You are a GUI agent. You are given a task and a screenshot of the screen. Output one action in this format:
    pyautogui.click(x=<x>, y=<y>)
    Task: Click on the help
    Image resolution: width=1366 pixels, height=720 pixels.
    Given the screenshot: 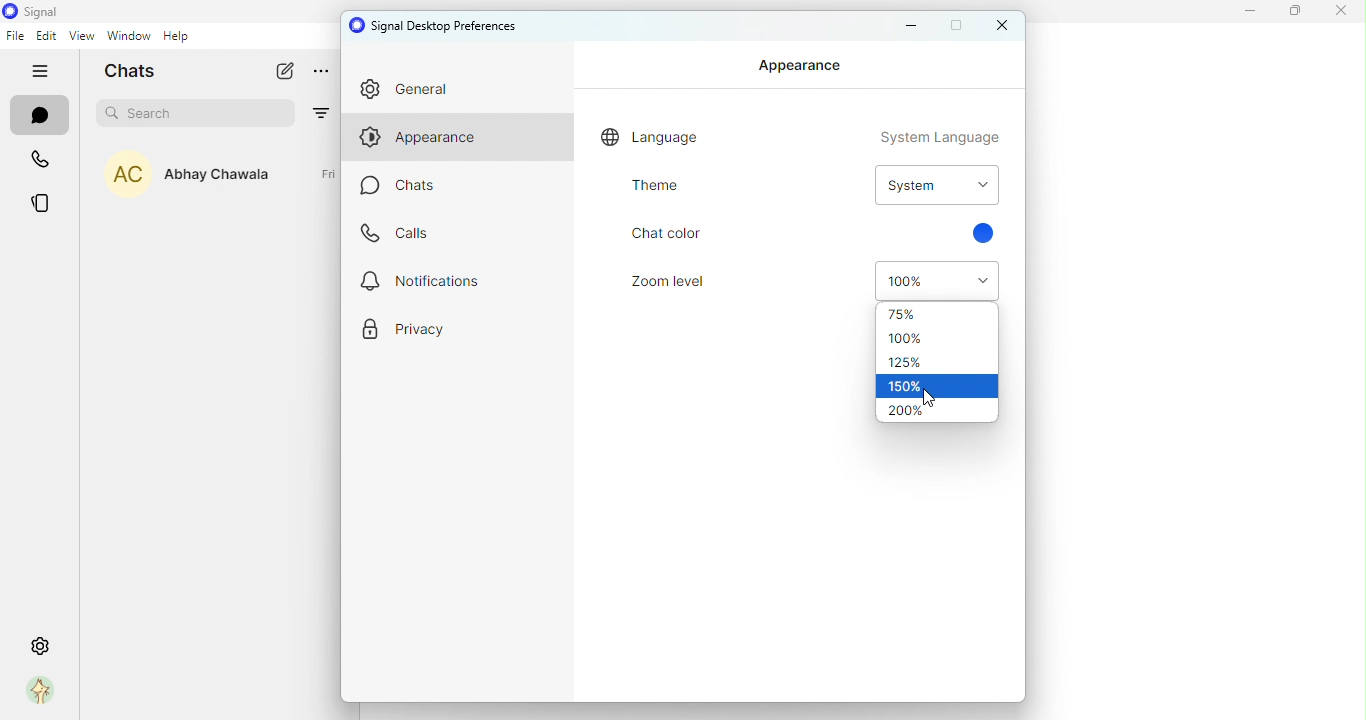 What is the action you would take?
    pyautogui.click(x=177, y=40)
    